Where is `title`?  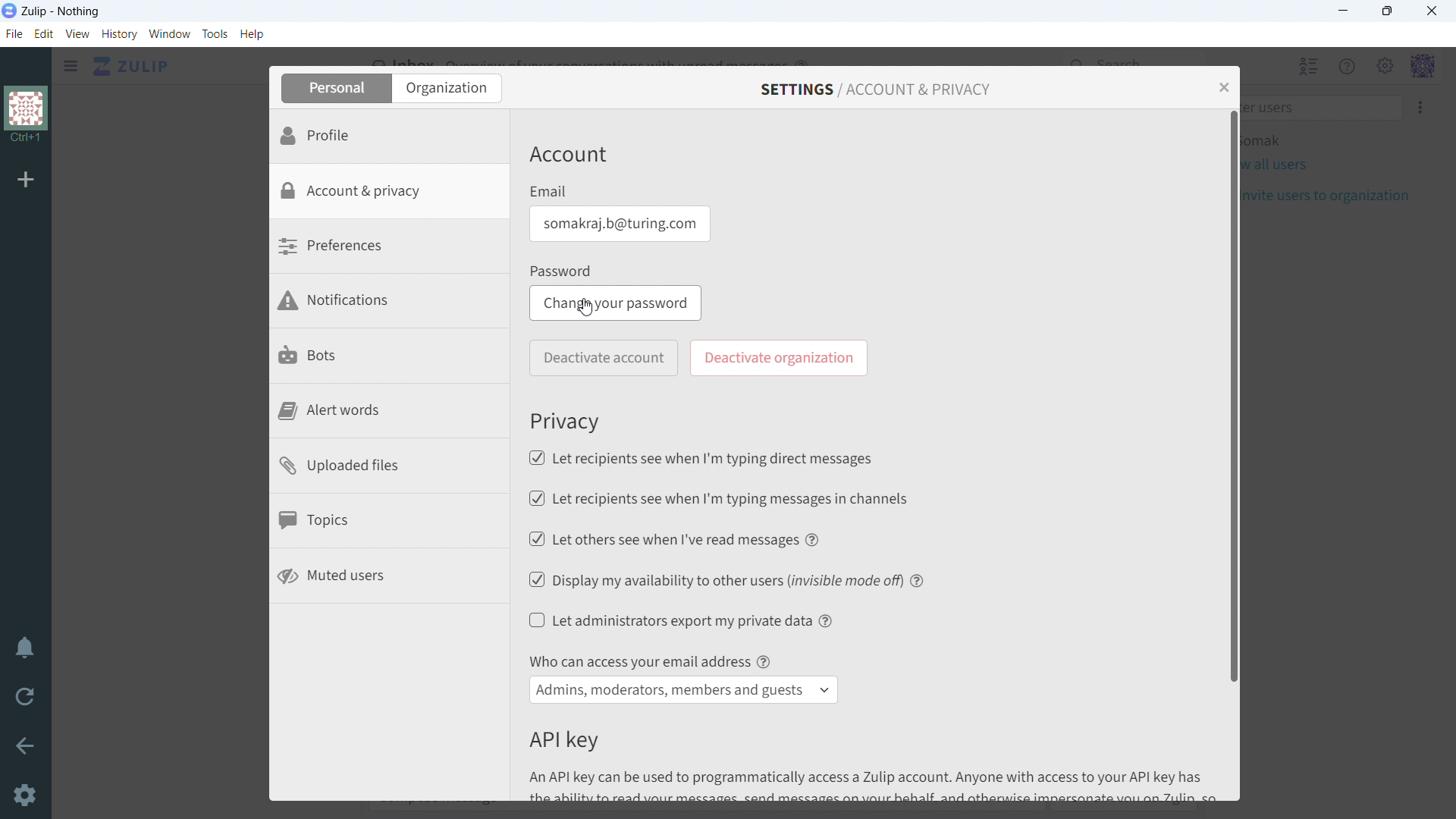
title is located at coordinates (61, 11).